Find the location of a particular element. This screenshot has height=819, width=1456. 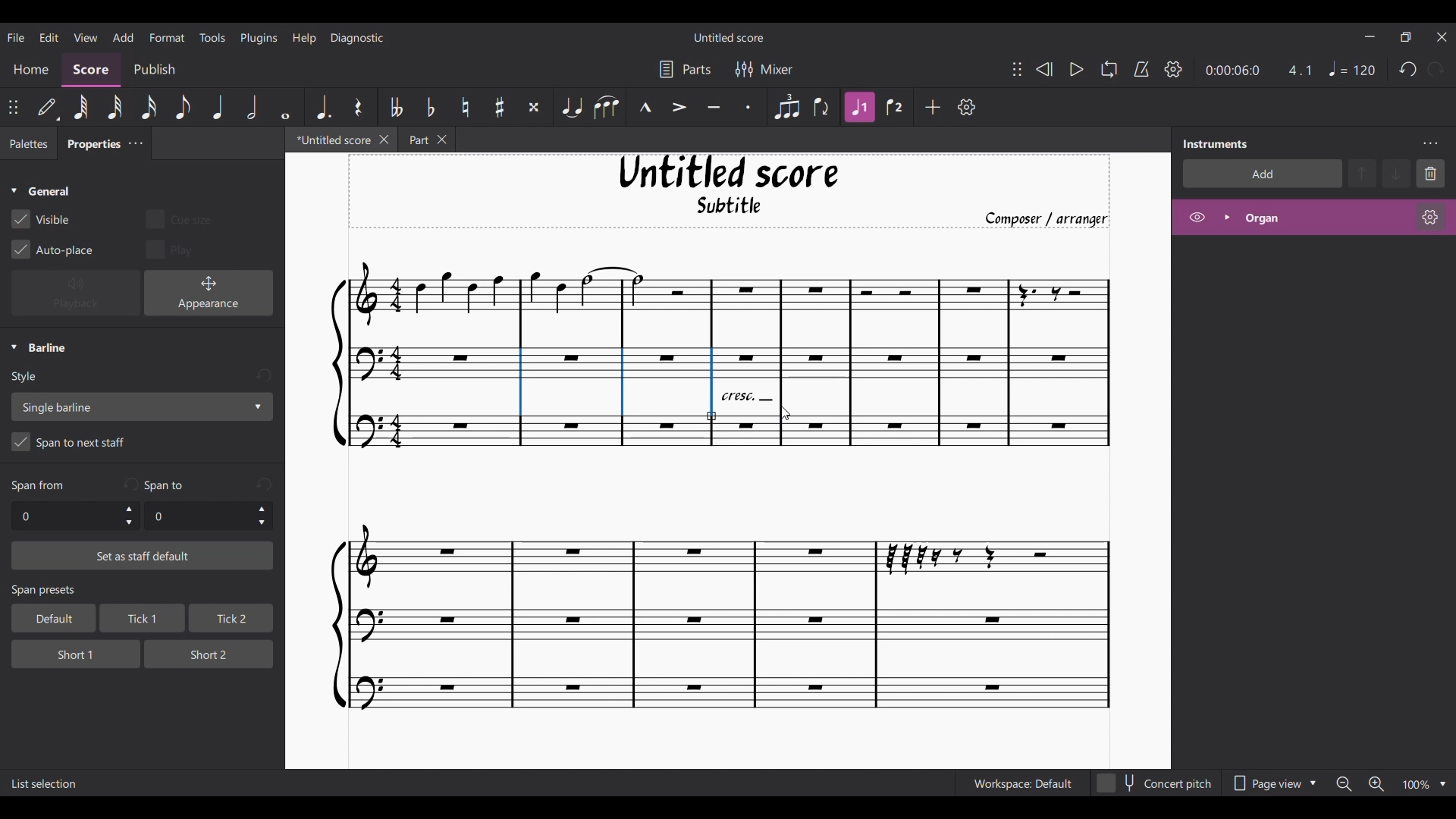

Collapse Barline is located at coordinates (39, 348).